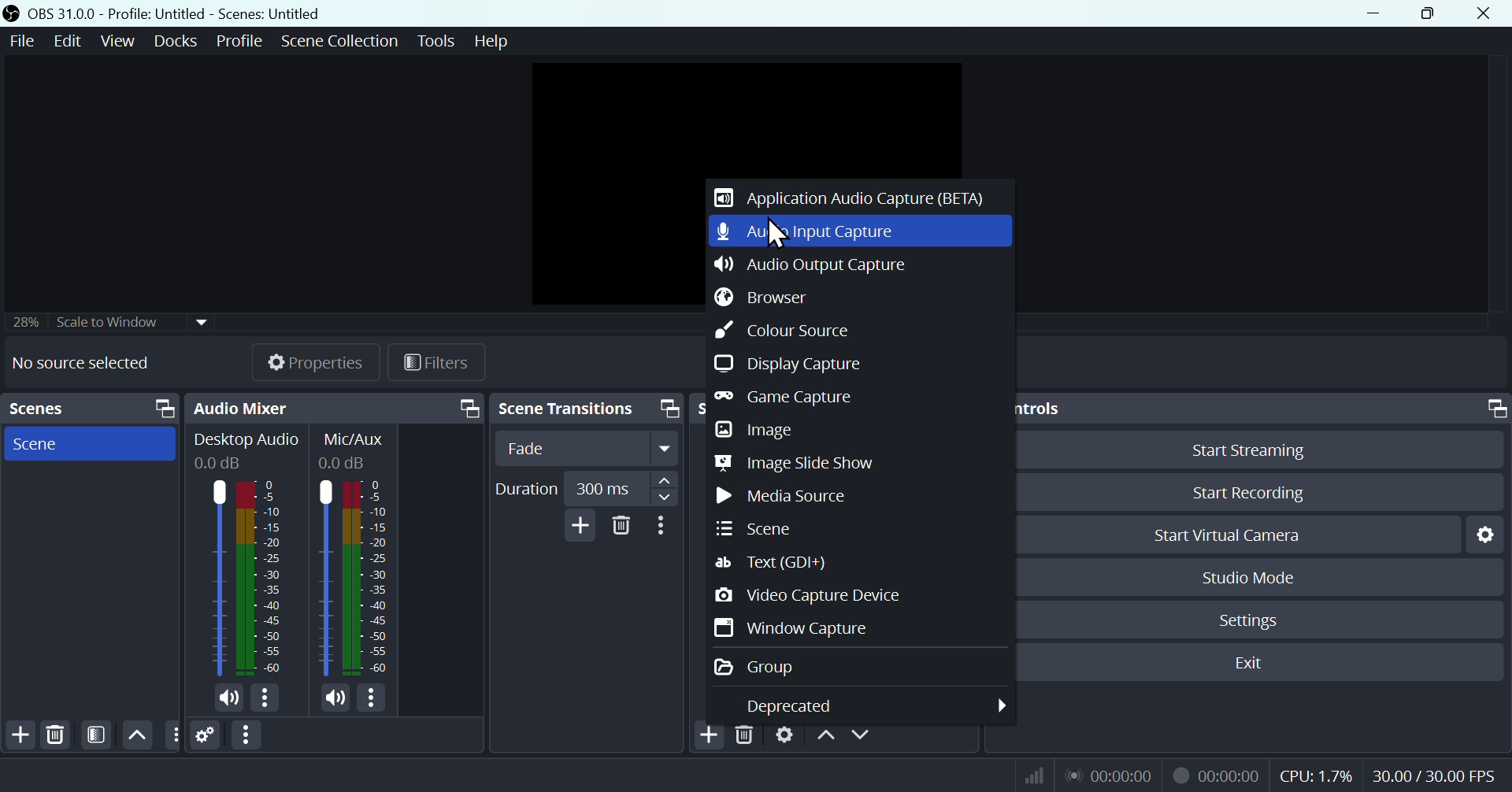 The image size is (1512, 792). Describe the element at coordinates (65, 41) in the screenshot. I see `Edit` at that location.